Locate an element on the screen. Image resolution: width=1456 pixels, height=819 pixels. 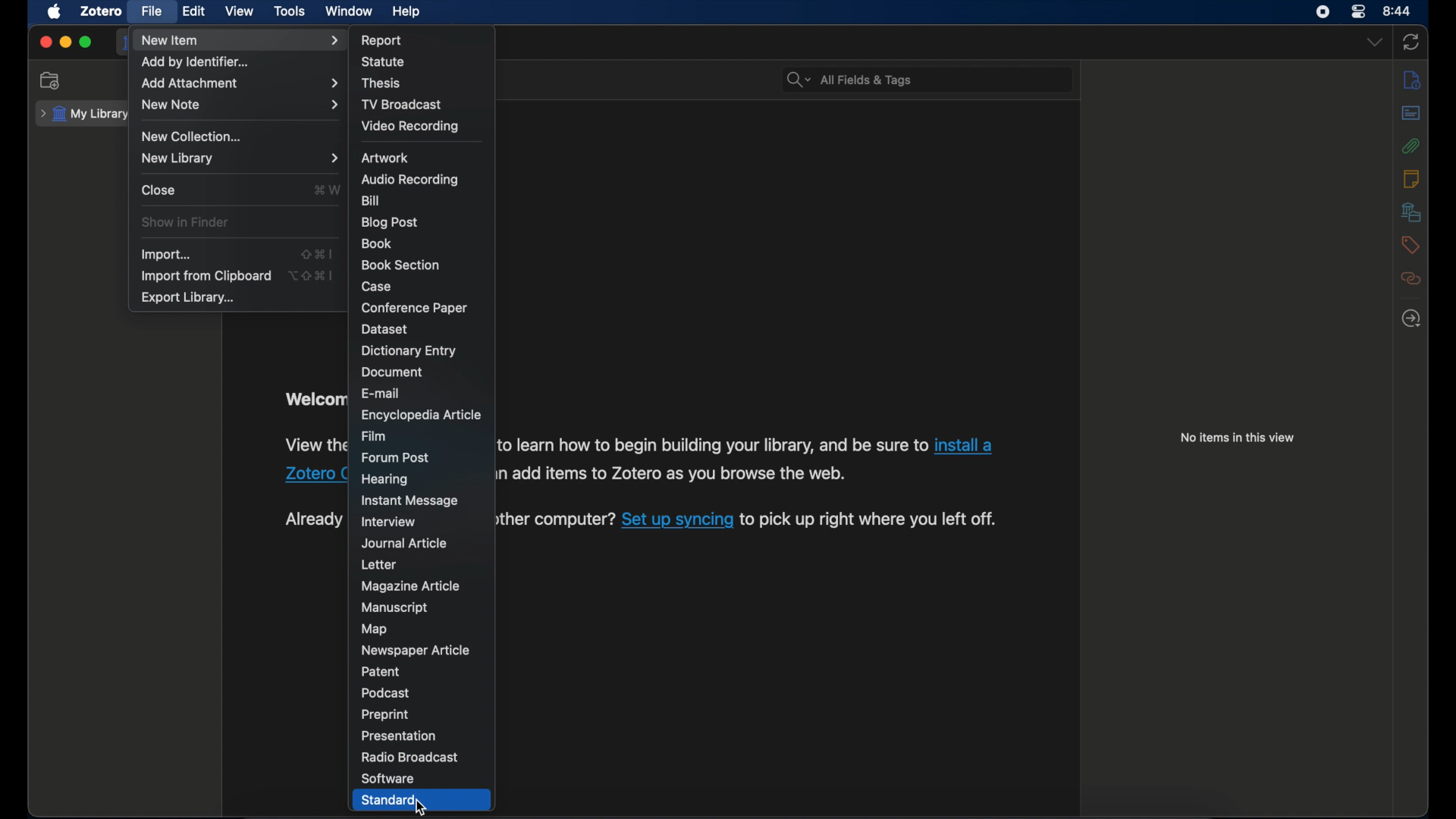
report is located at coordinates (382, 39).